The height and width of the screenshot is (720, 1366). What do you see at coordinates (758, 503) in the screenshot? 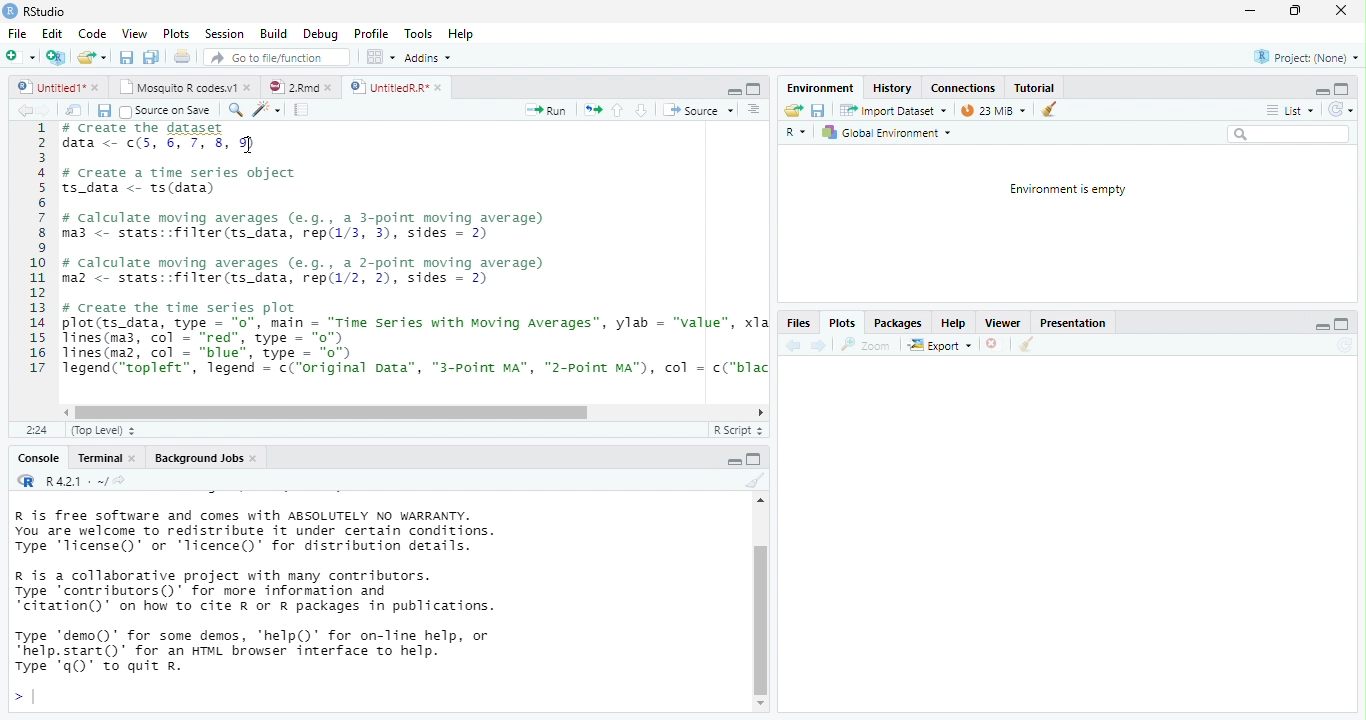
I see `scrollbar up` at bounding box center [758, 503].